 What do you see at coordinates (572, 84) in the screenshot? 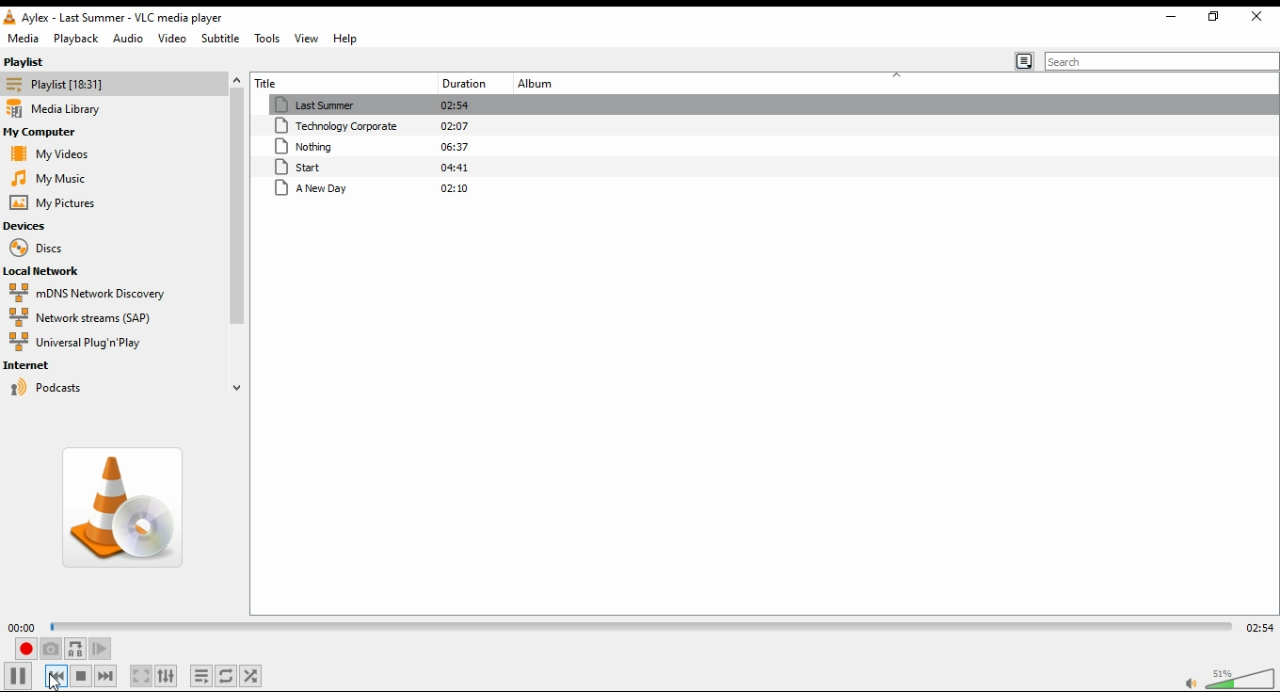
I see `album` at bounding box center [572, 84].